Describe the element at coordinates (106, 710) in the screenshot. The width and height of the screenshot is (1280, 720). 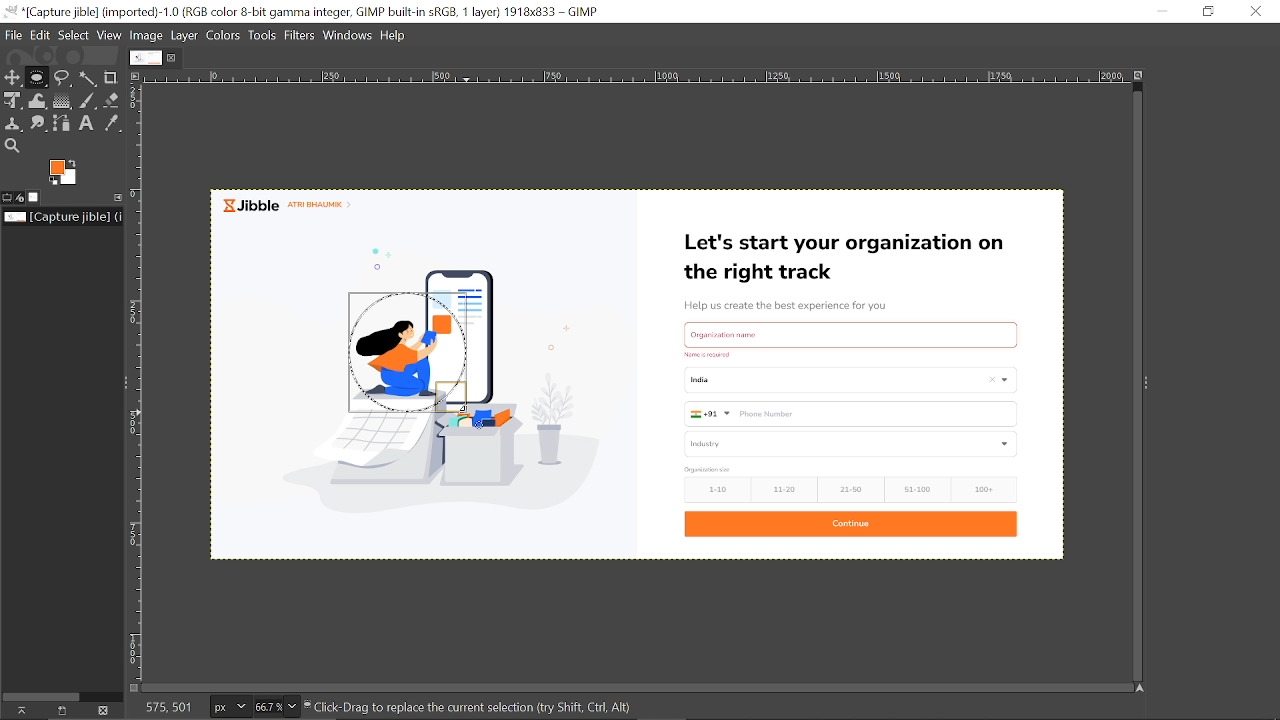
I see `Delete this image` at that location.